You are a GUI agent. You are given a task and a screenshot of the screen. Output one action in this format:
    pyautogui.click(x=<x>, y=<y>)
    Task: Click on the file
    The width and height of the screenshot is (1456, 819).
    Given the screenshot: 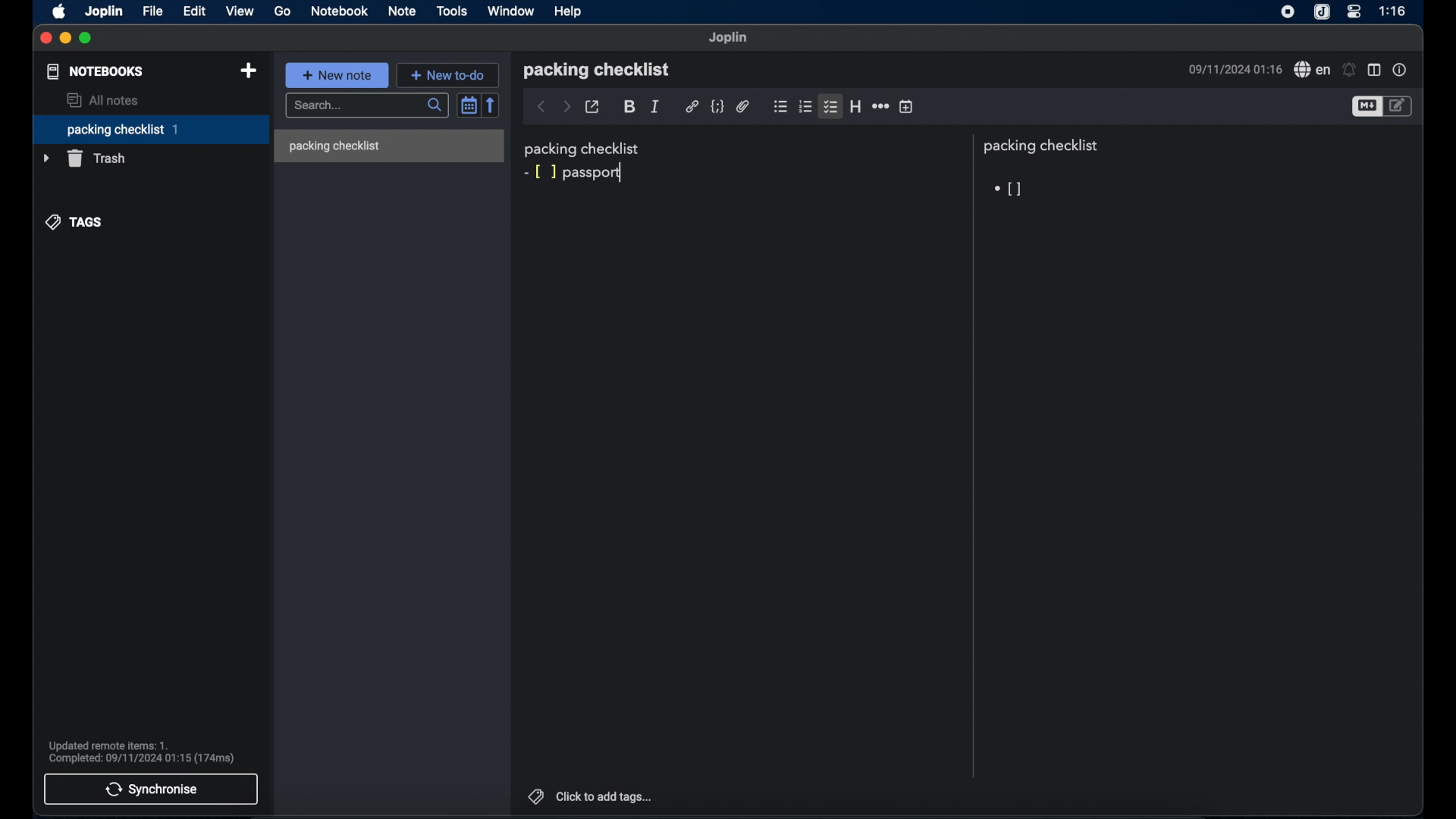 What is the action you would take?
    pyautogui.click(x=154, y=11)
    